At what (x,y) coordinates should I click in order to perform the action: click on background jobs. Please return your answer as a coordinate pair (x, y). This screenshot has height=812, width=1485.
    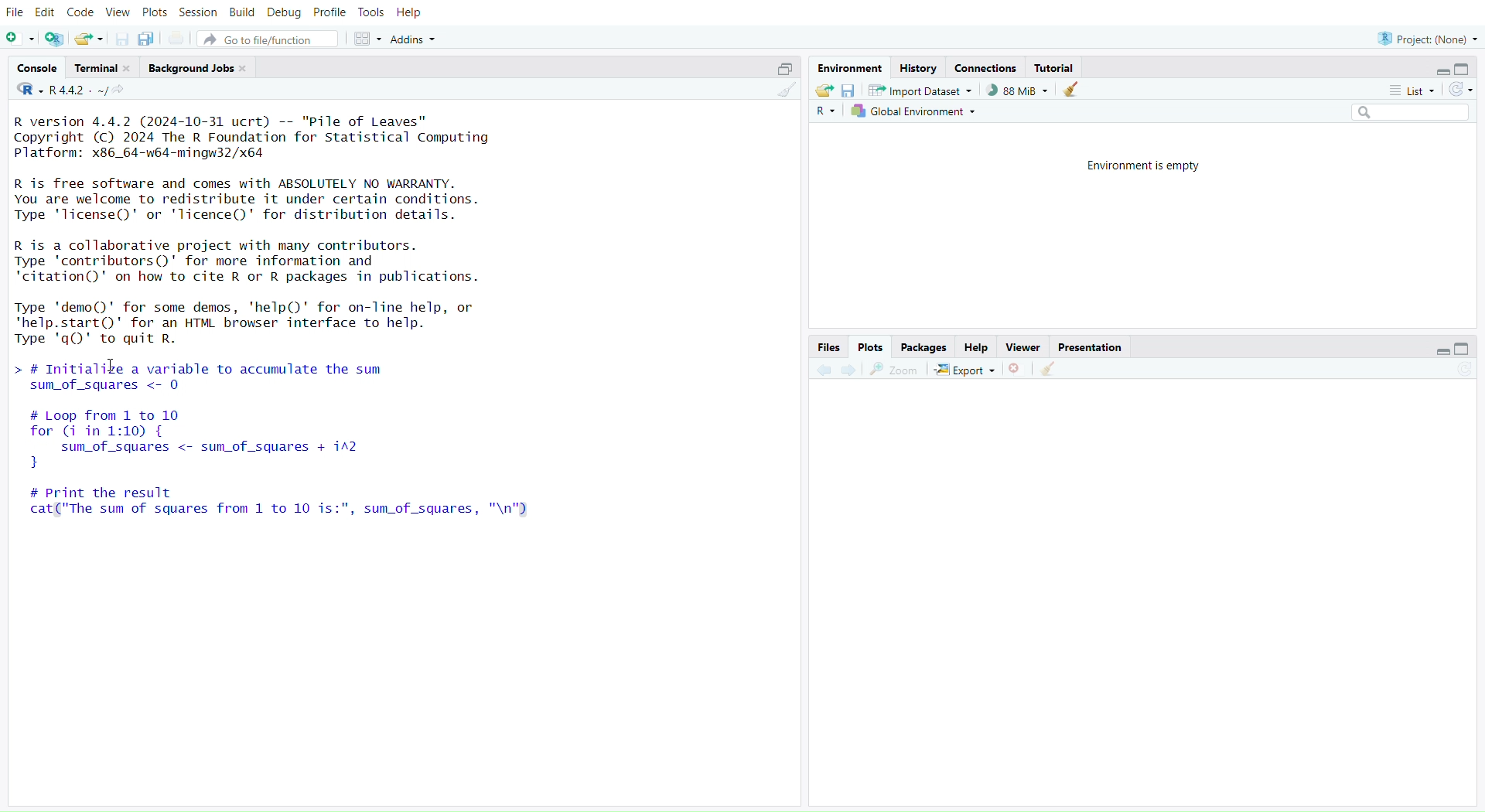
    Looking at the image, I should click on (201, 68).